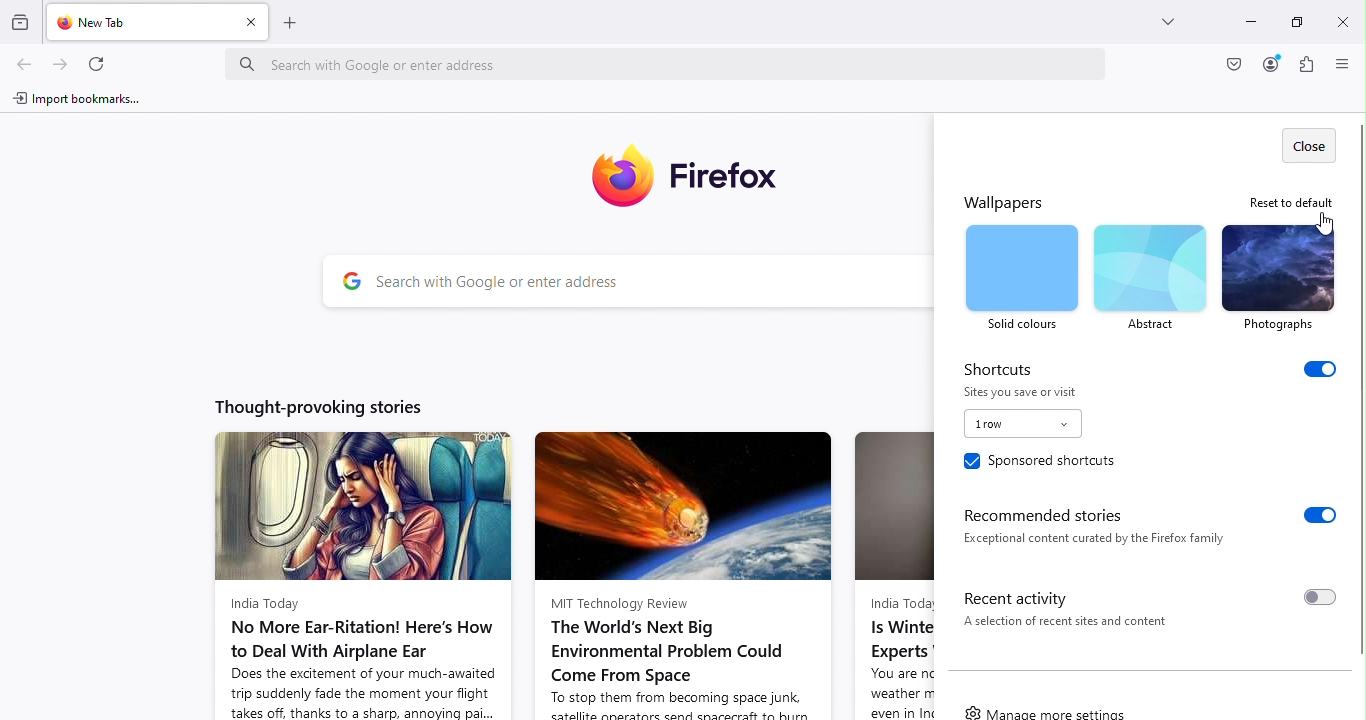 The width and height of the screenshot is (1366, 720). I want to click on New tab, so click(136, 26).